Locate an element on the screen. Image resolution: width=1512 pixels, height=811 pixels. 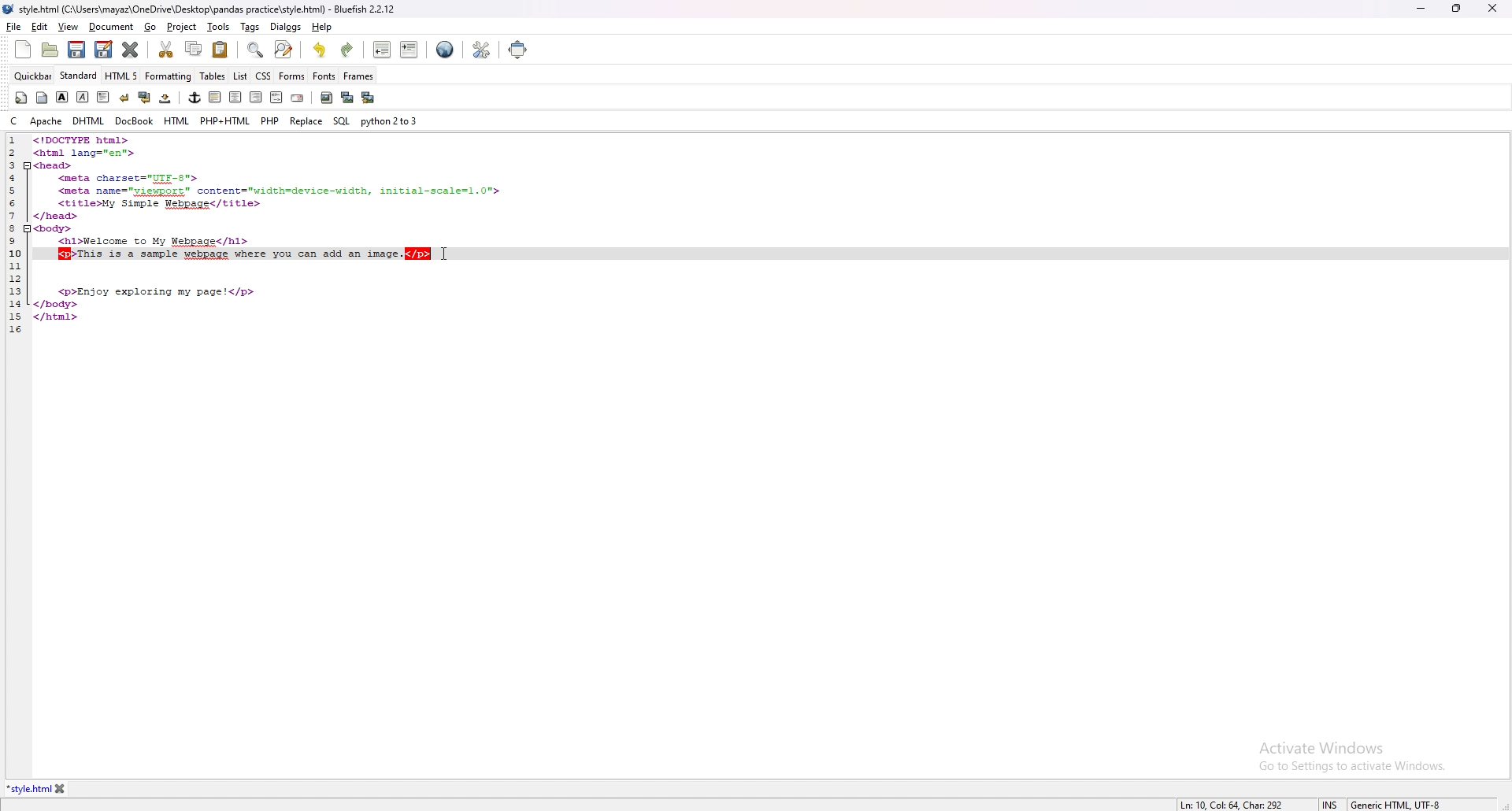
indent is located at coordinates (409, 51).